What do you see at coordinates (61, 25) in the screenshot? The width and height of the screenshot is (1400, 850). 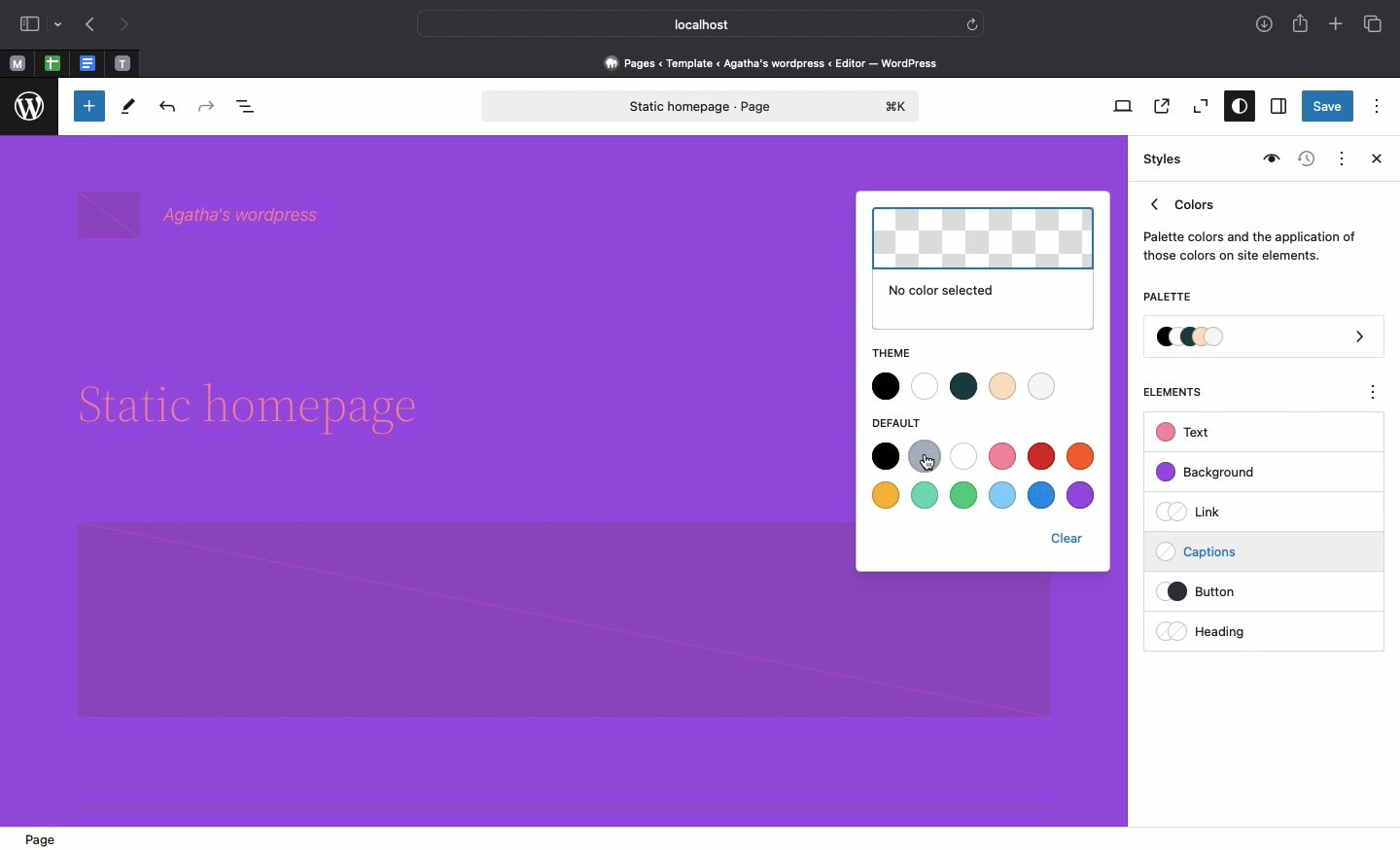 I see `drop-down` at bounding box center [61, 25].